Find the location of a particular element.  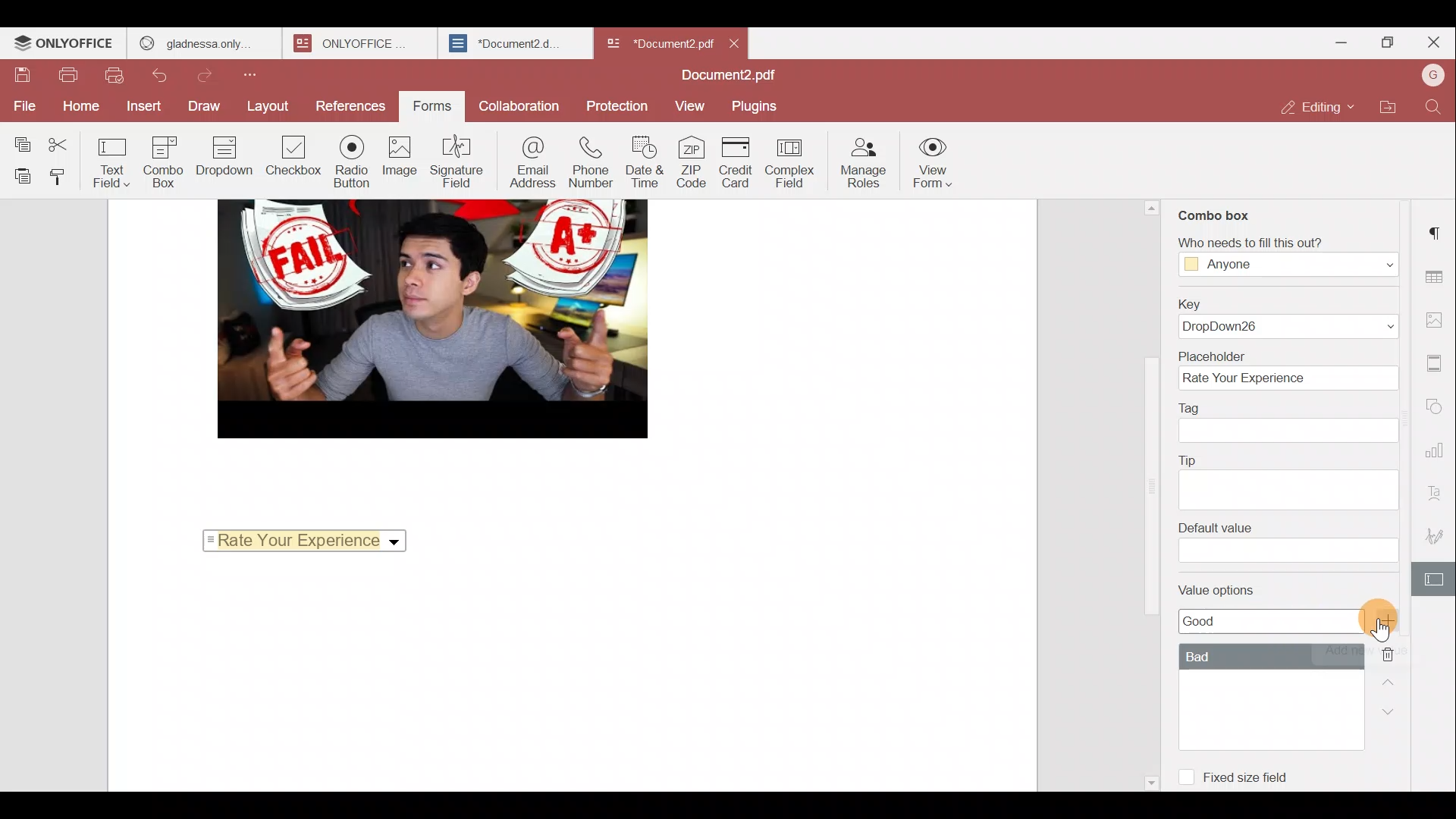

Phone number is located at coordinates (591, 164).